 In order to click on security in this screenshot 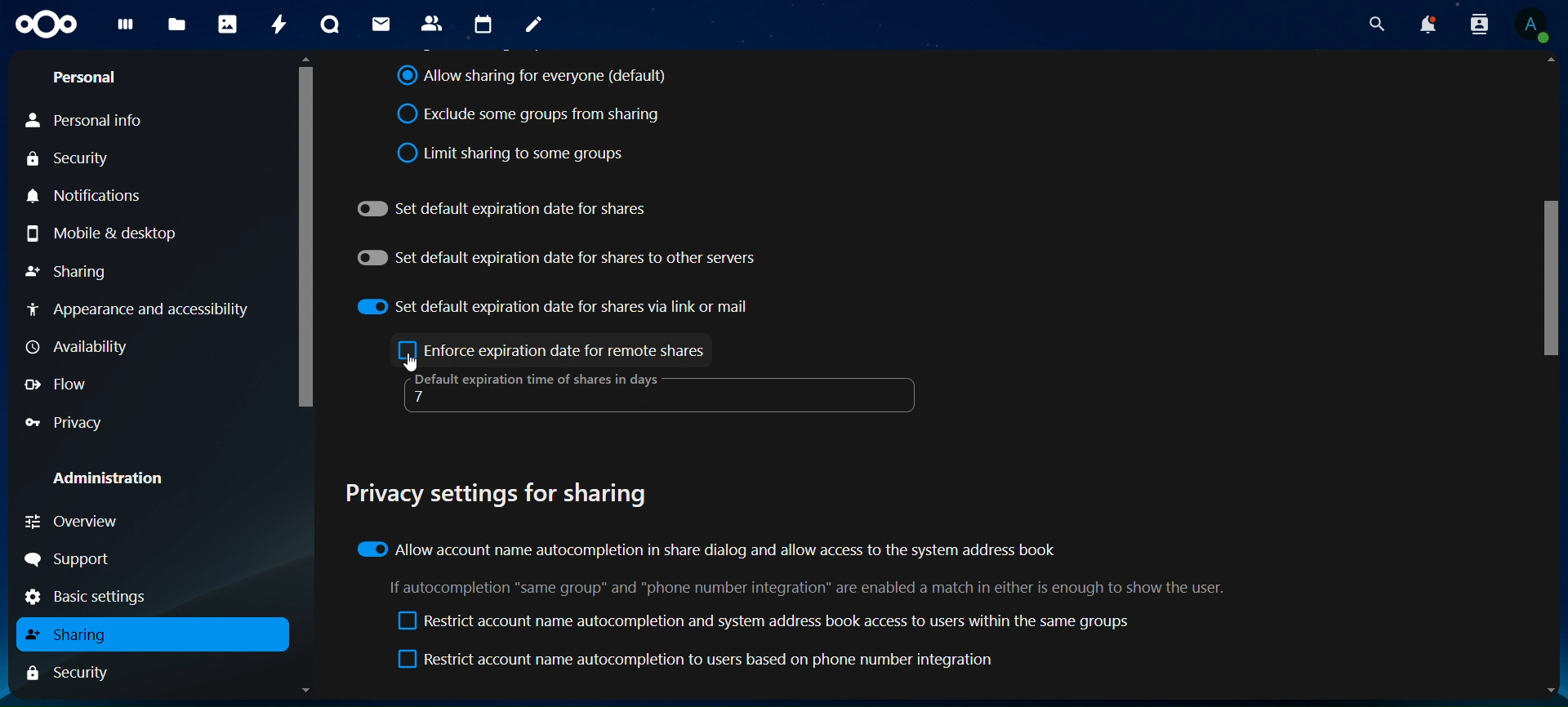, I will do `click(70, 158)`.